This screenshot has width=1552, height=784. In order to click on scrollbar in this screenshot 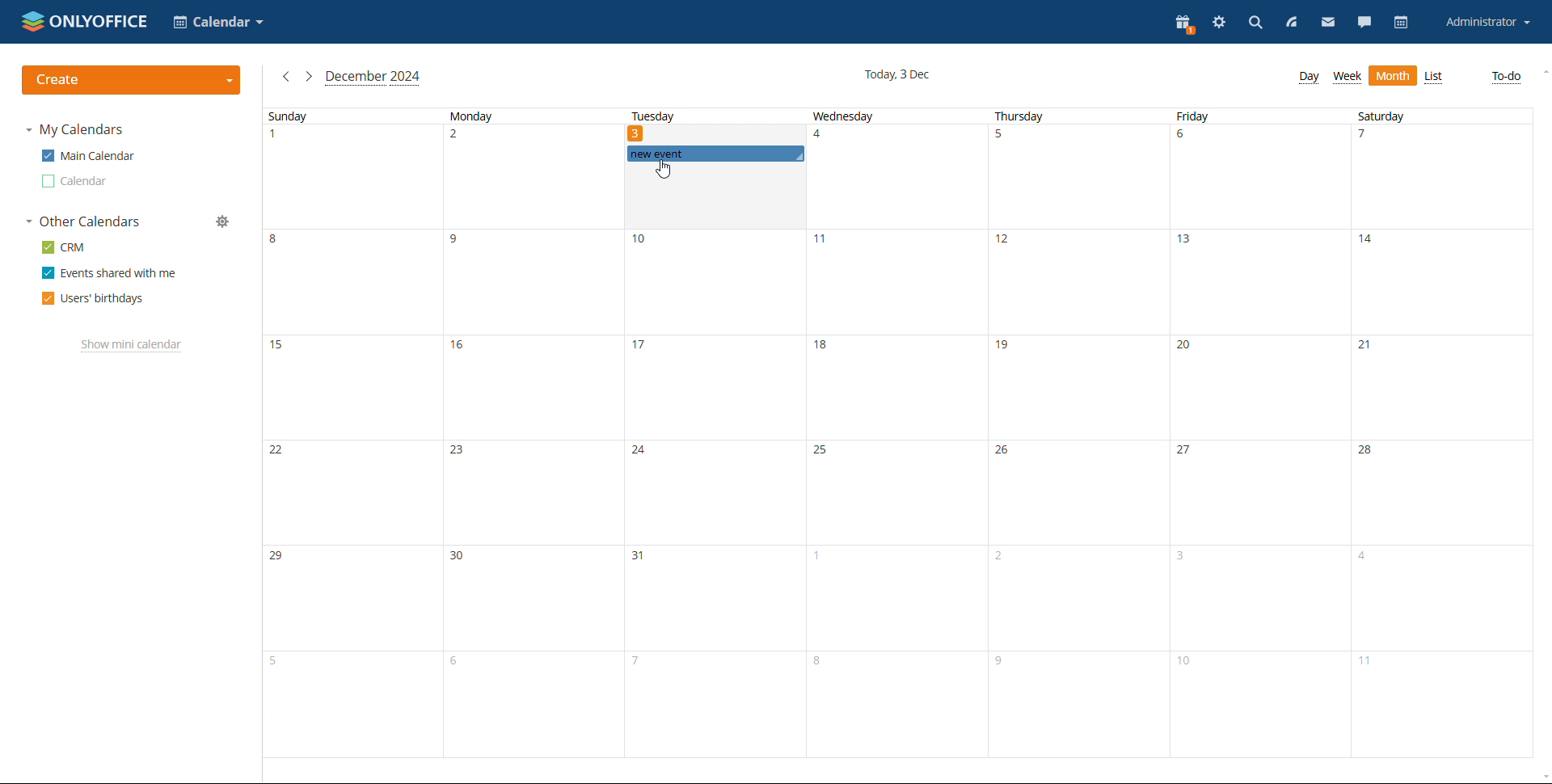, I will do `click(1551, 404)`.